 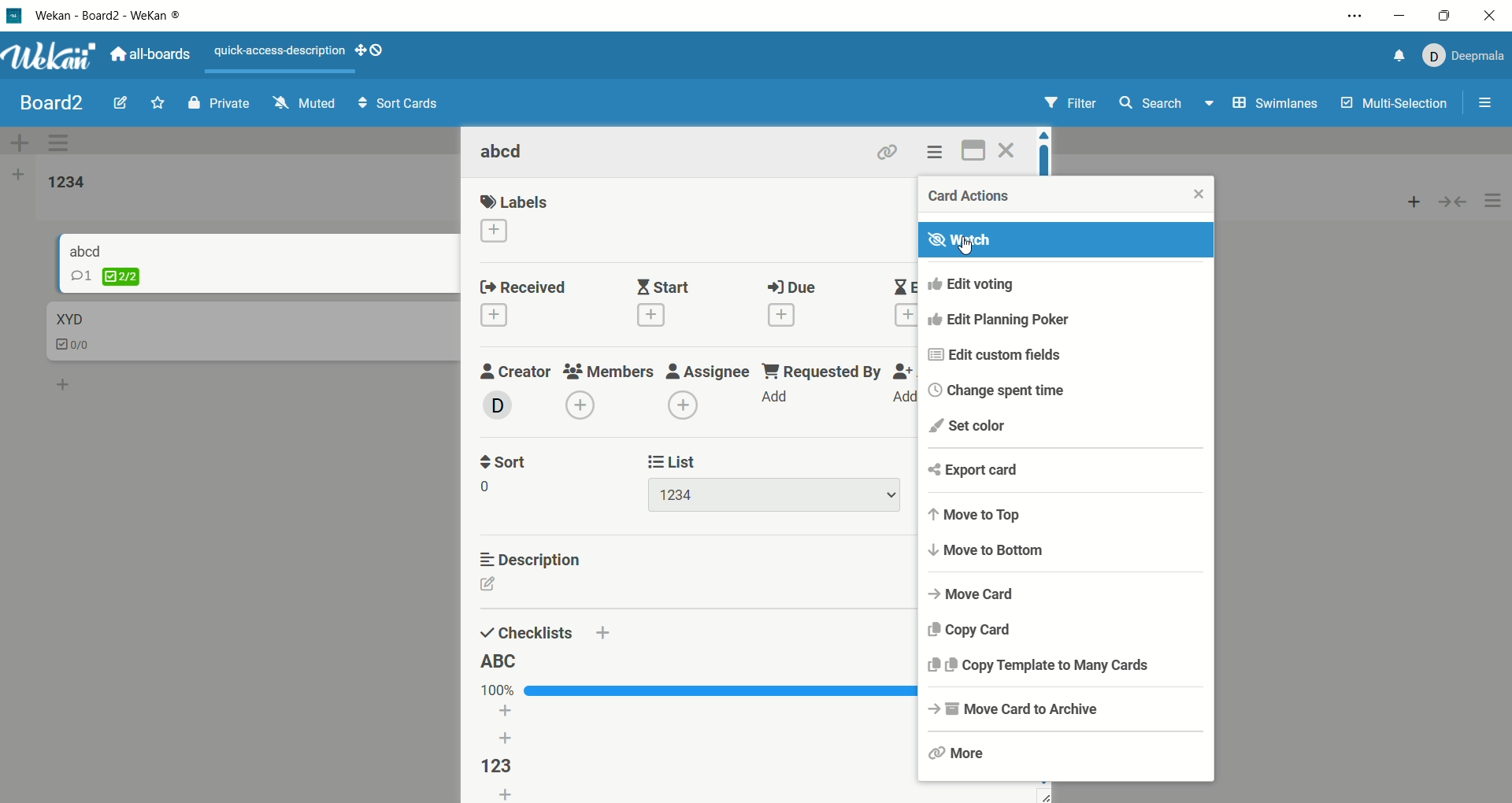 What do you see at coordinates (507, 151) in the screenshot?
I see `card title` at bounding box center [507, 151].